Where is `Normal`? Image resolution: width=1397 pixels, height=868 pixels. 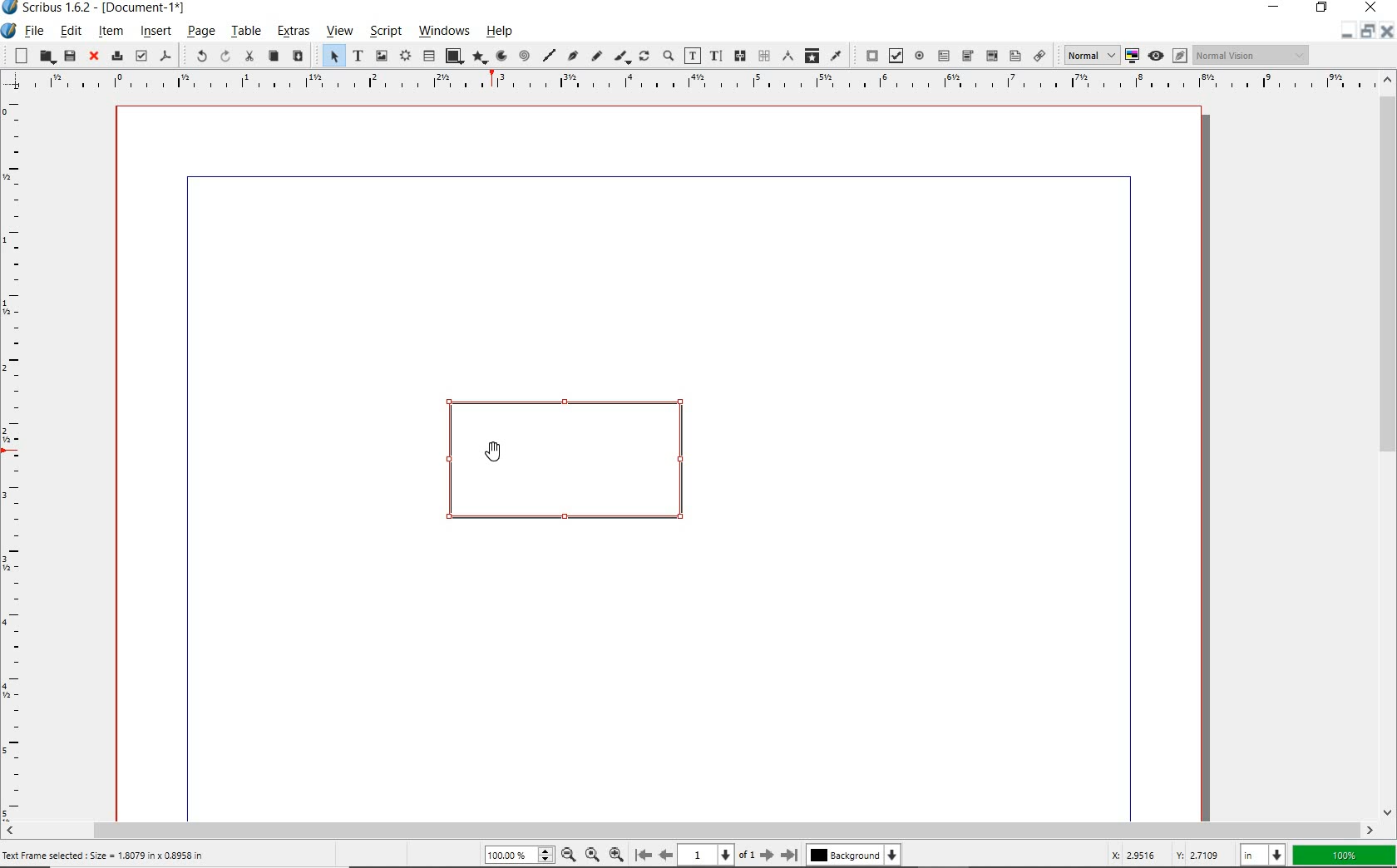 Normal is located at coordinates (1090, 55).